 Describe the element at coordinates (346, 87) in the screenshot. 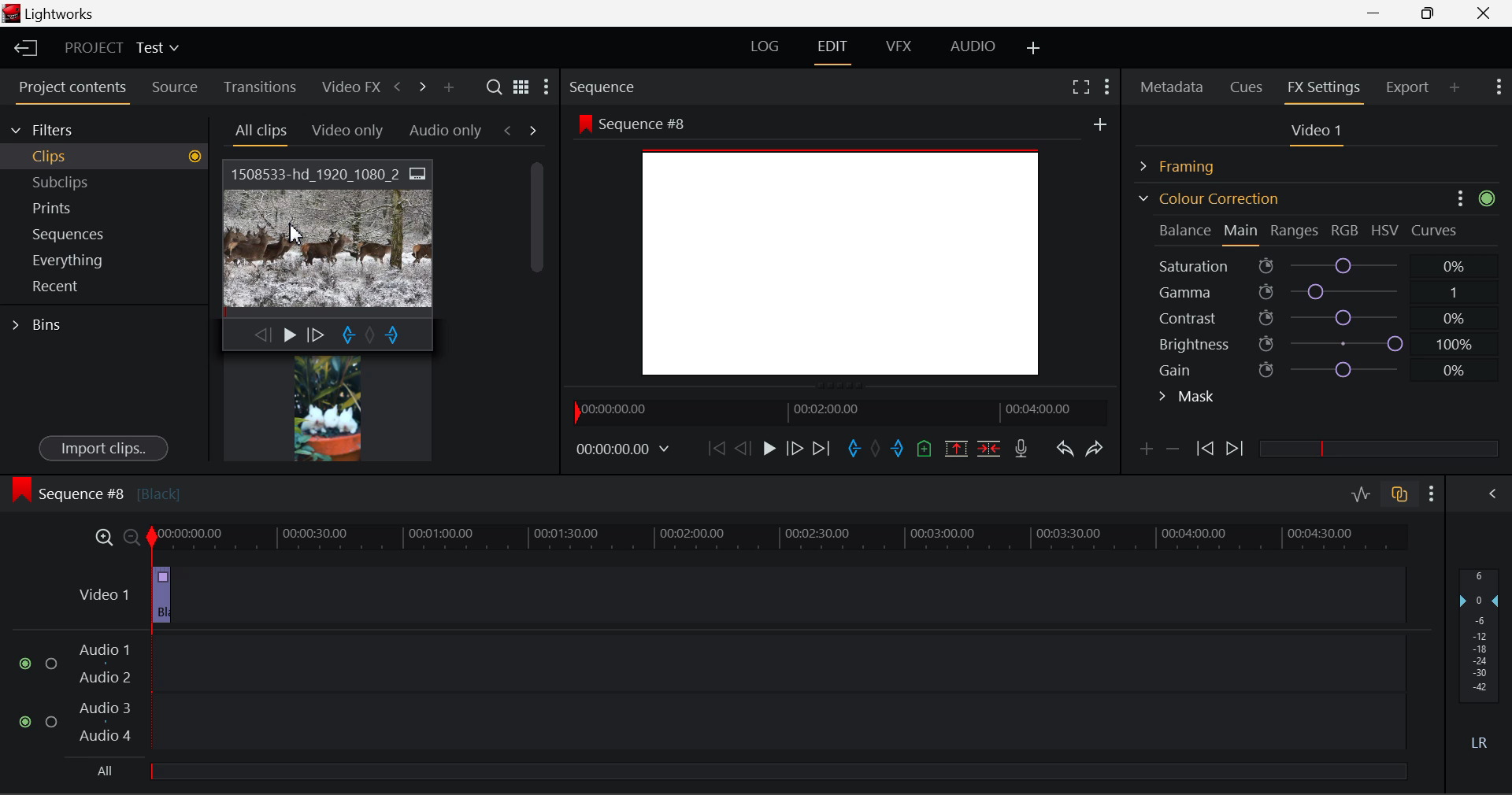

I see `Video FX` at that location.